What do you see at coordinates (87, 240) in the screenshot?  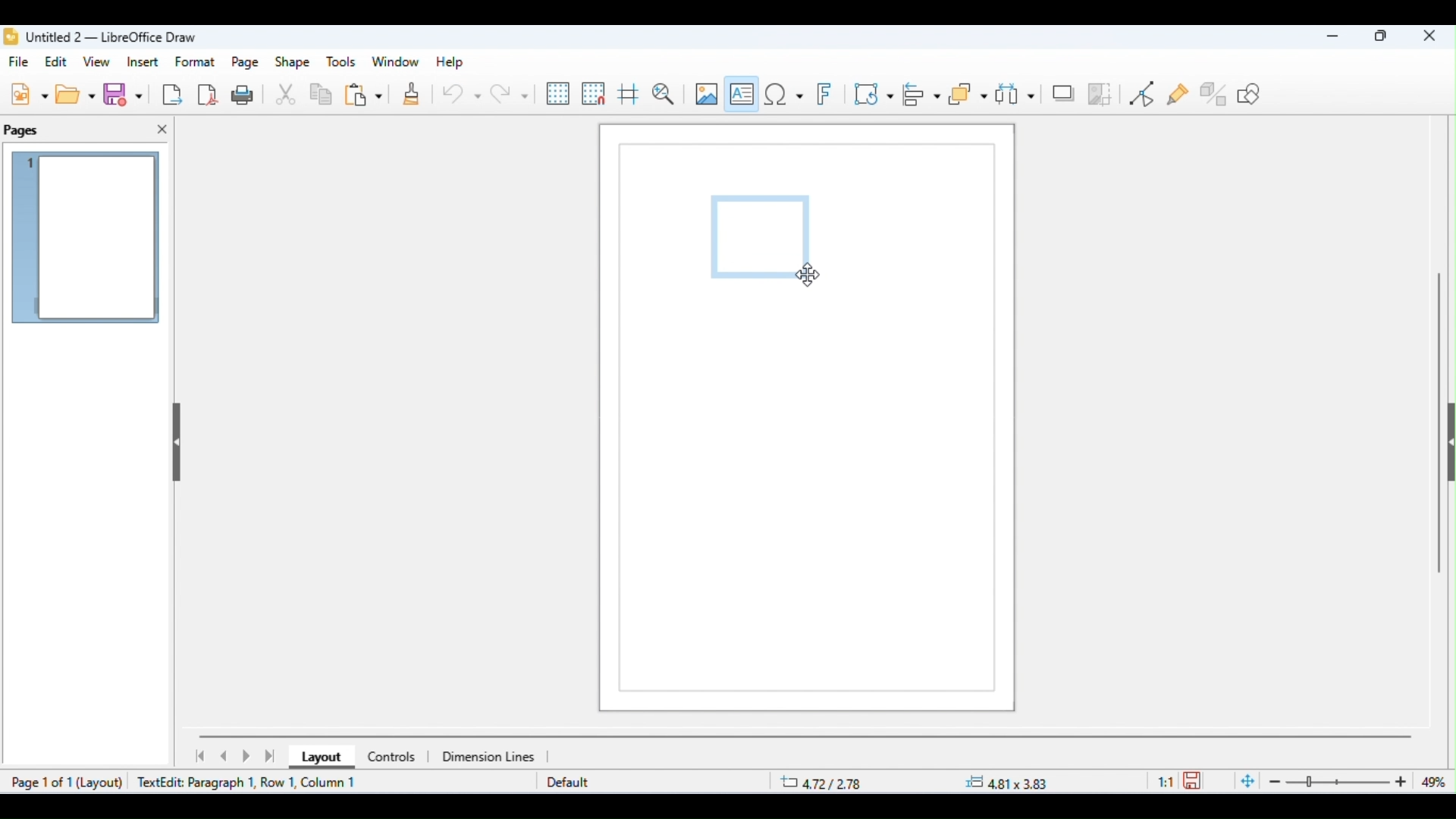 I see `current page ` at bounding box center [87, 240].